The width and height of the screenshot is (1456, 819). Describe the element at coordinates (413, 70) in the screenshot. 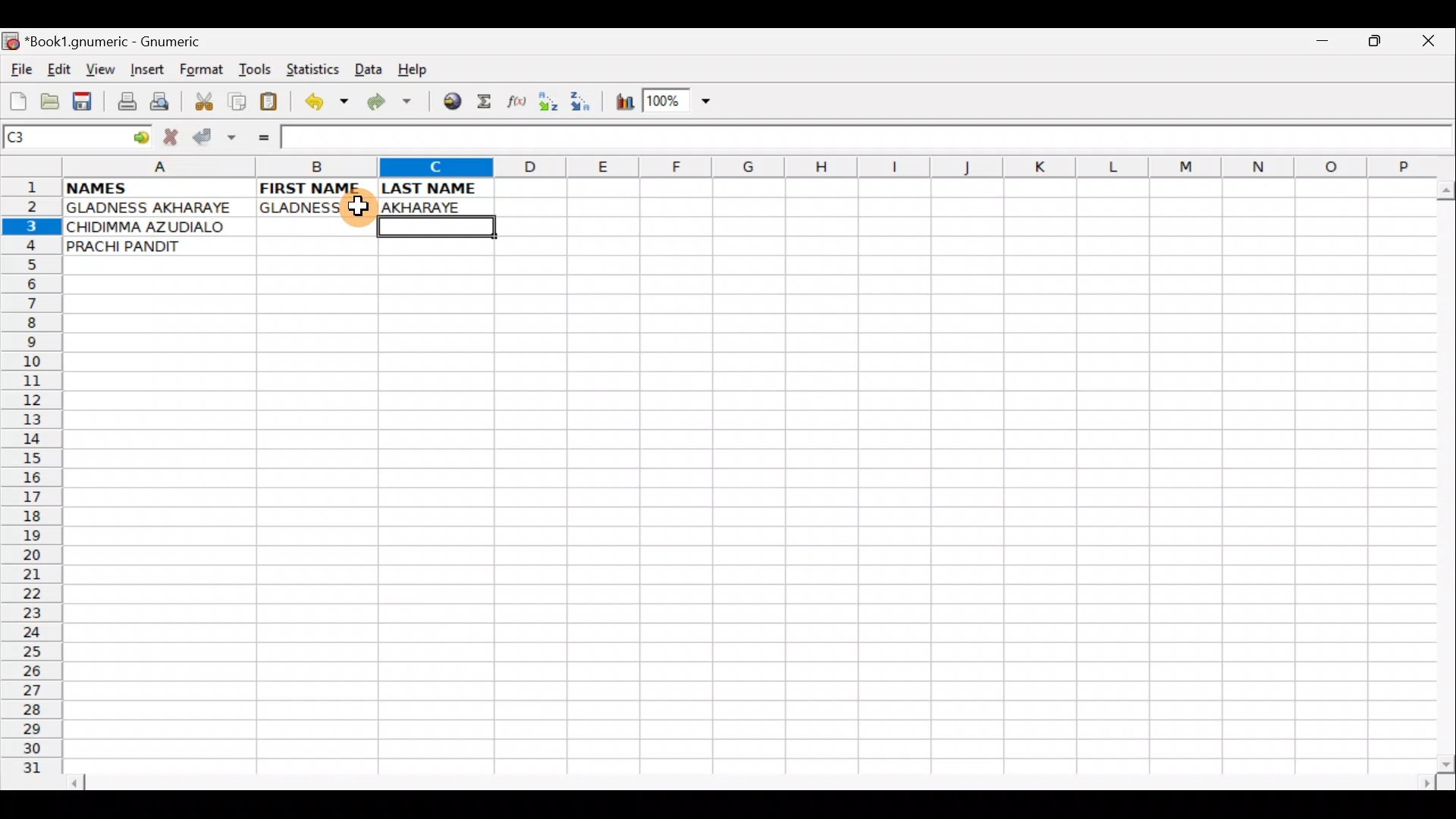

I see `Help` at that location.